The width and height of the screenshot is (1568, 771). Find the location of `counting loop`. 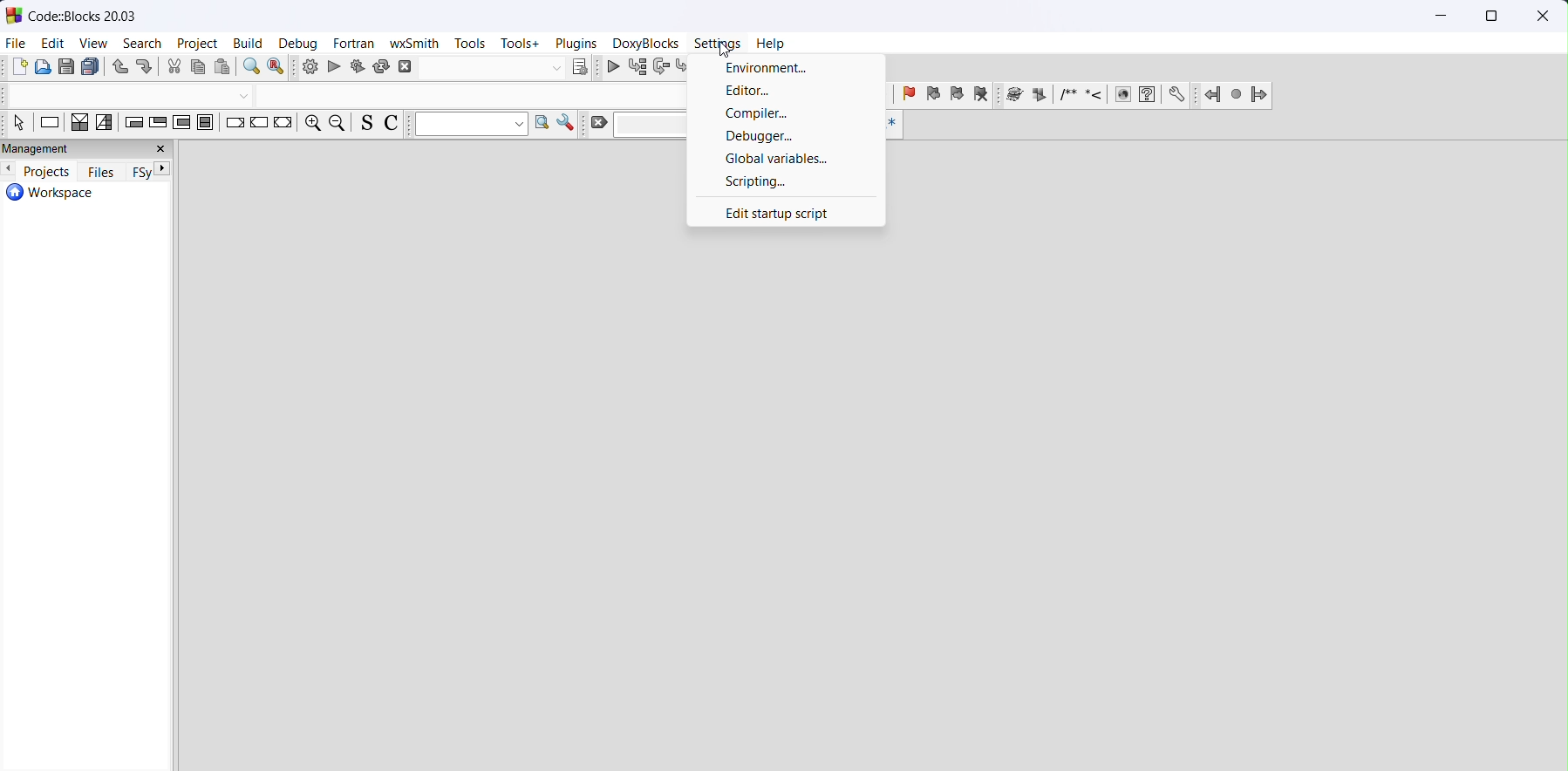

counting loop is located at coordinates (181, 124).